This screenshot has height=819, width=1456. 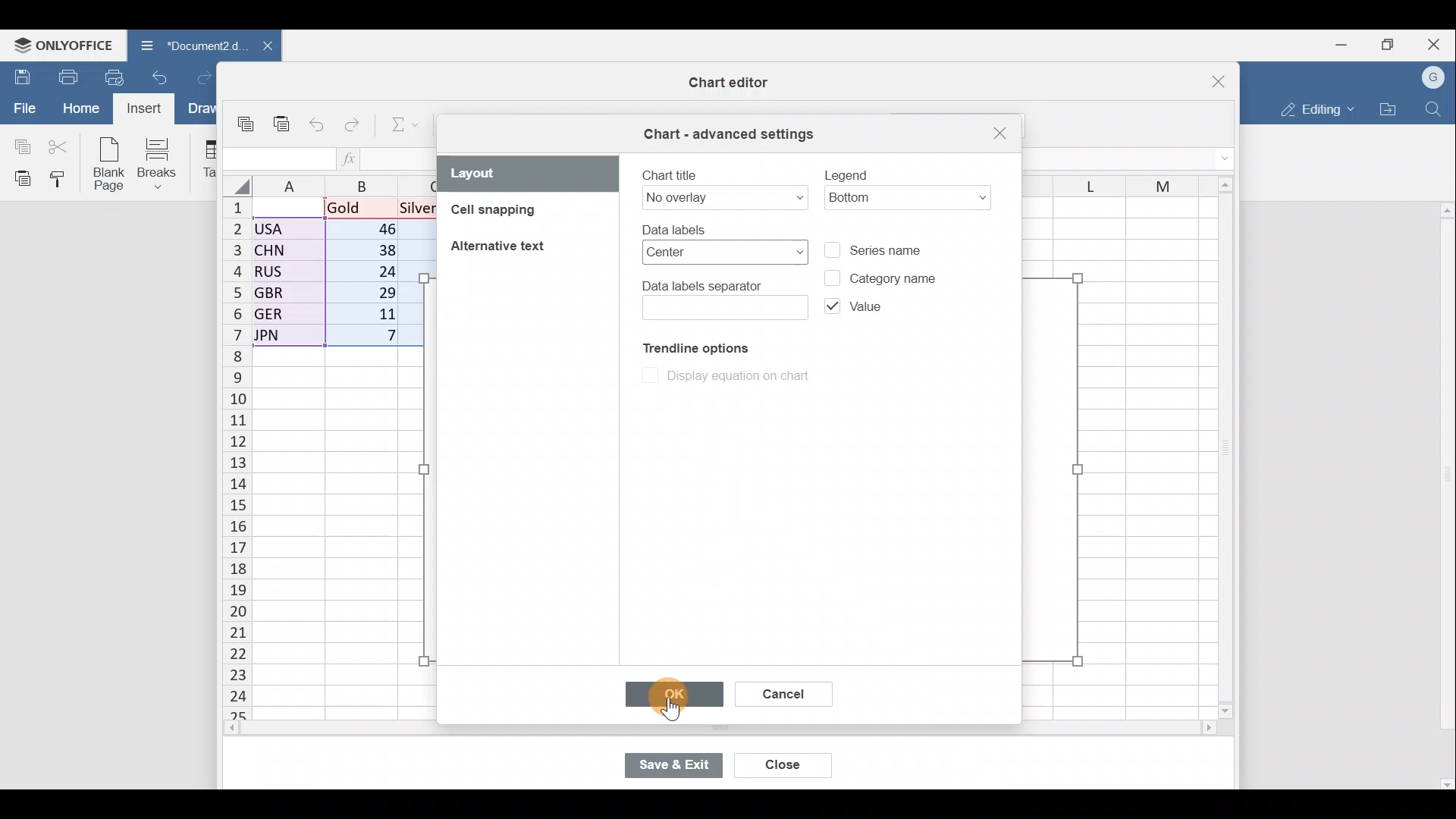 What do you see at coordinates (206, 110) in the screenshot?
I see `Draw` at bounding box center [206, 110].